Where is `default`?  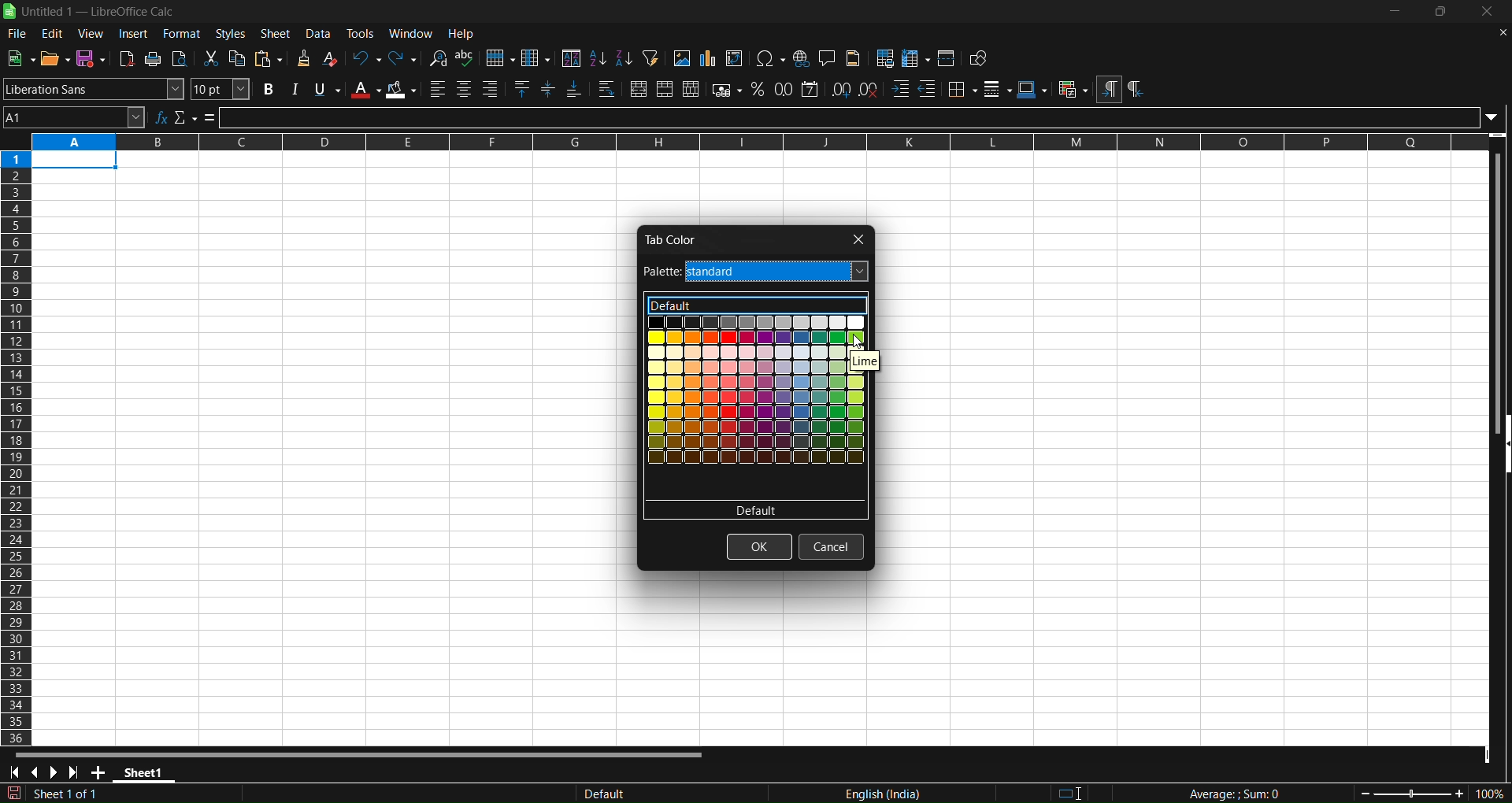
default is located at coordinates (754, 306).